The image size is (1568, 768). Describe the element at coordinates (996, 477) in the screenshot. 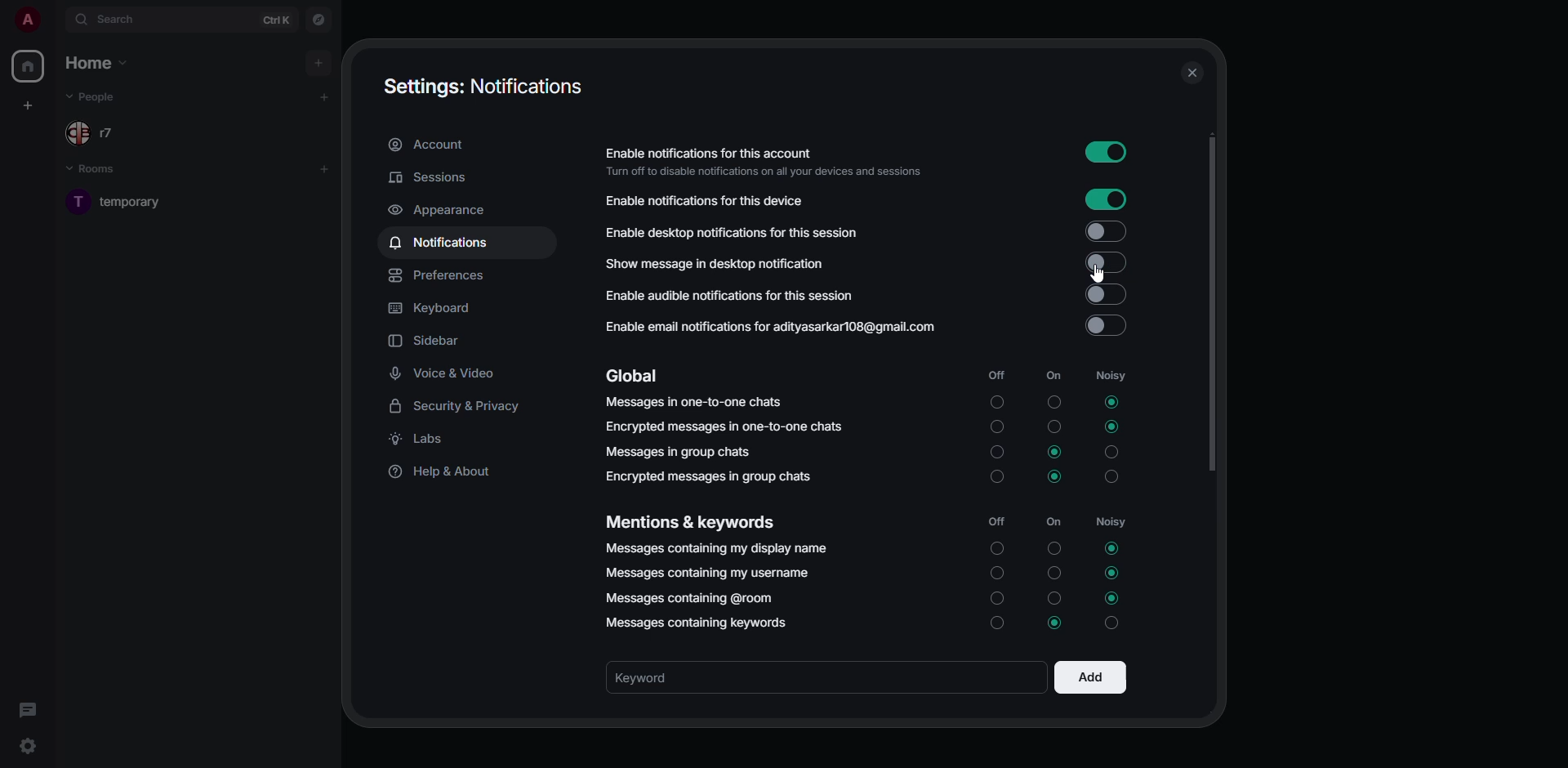

I see `Off Unselected` at that location.